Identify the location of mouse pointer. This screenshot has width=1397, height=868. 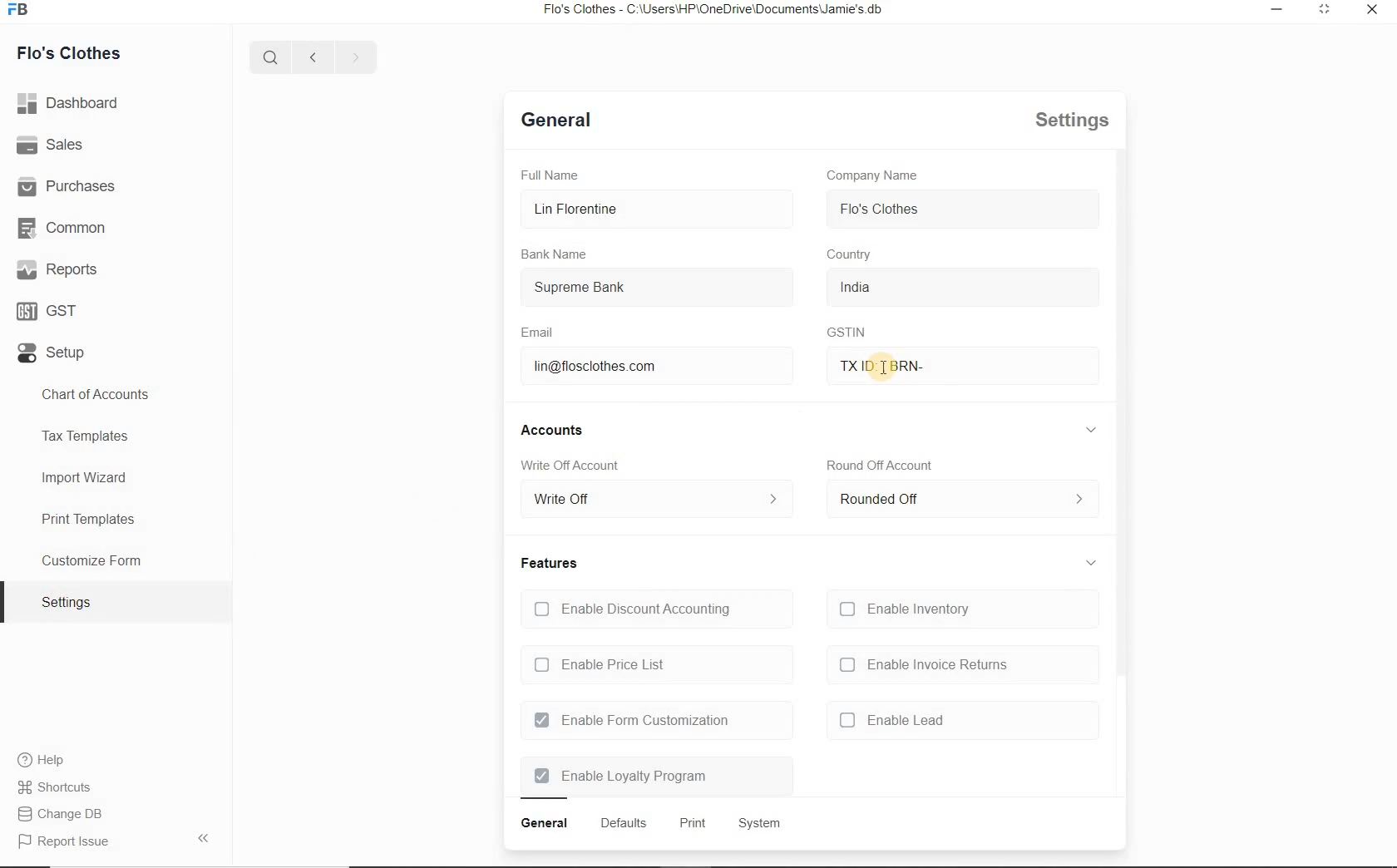
(882, 367).